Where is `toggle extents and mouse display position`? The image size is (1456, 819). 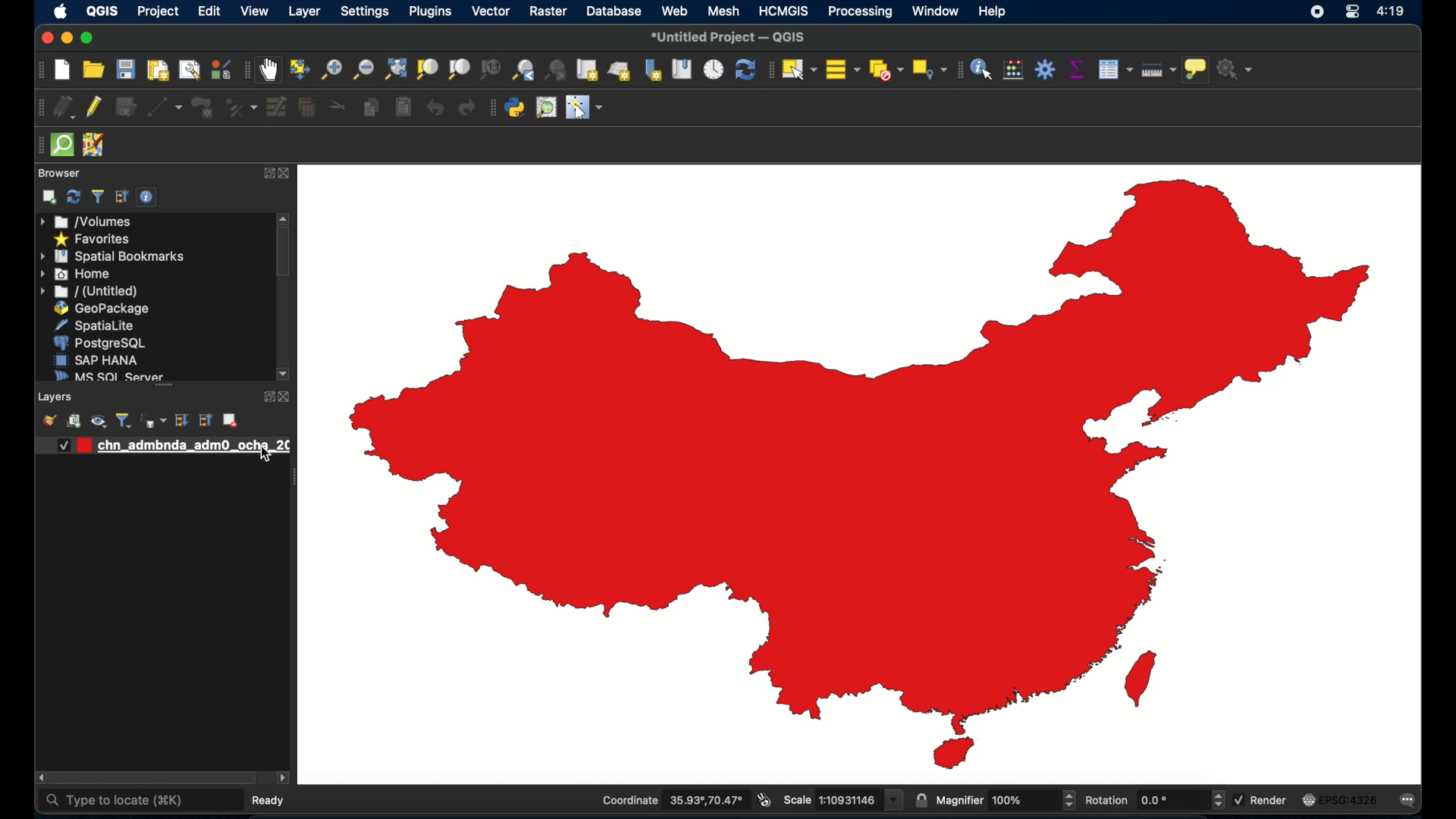
toggle extents and mouse display position is located at coordinates (764, 800).